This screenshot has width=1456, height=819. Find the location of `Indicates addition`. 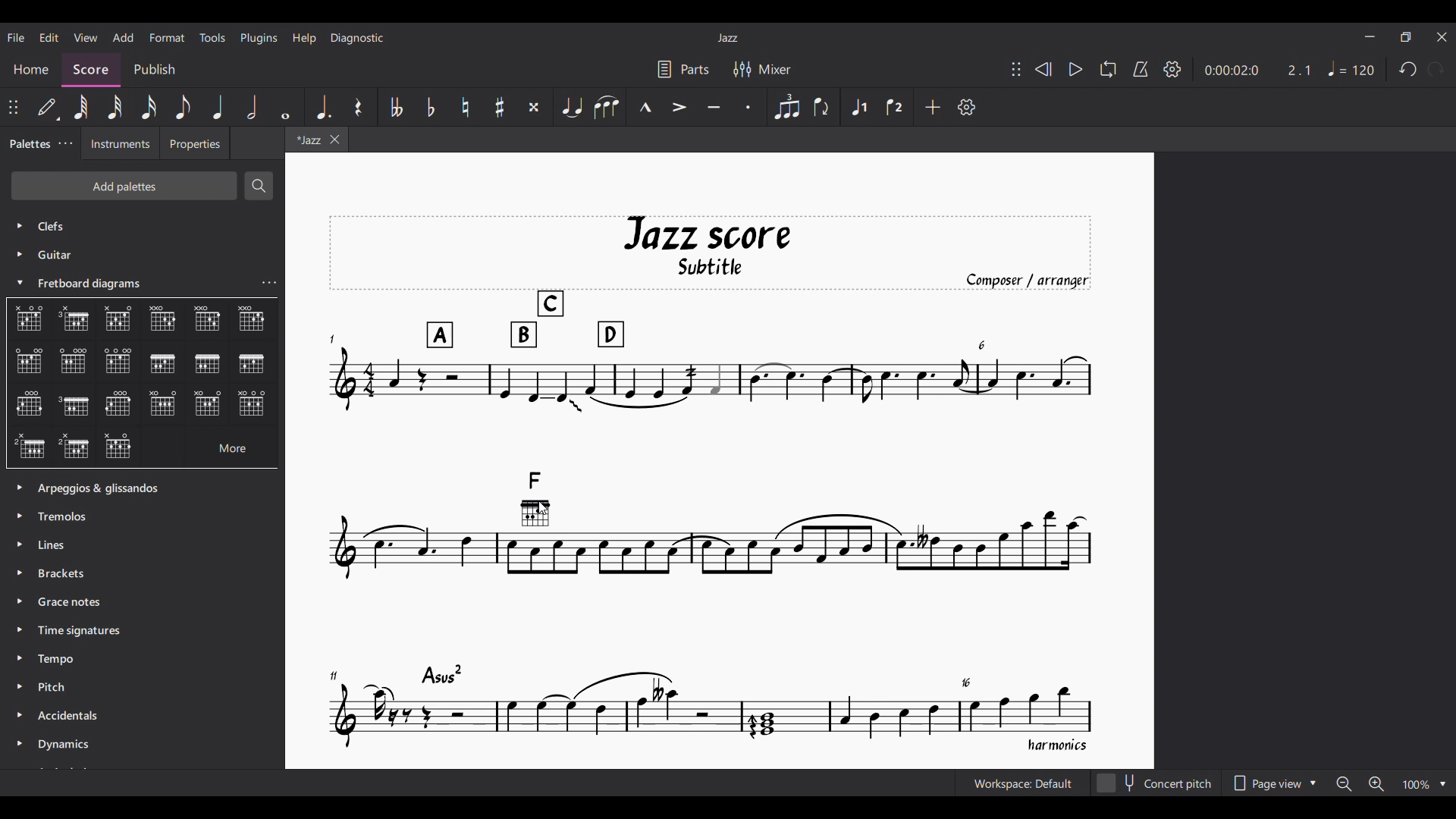

Indicates addition is located at coordinates (551, 519).